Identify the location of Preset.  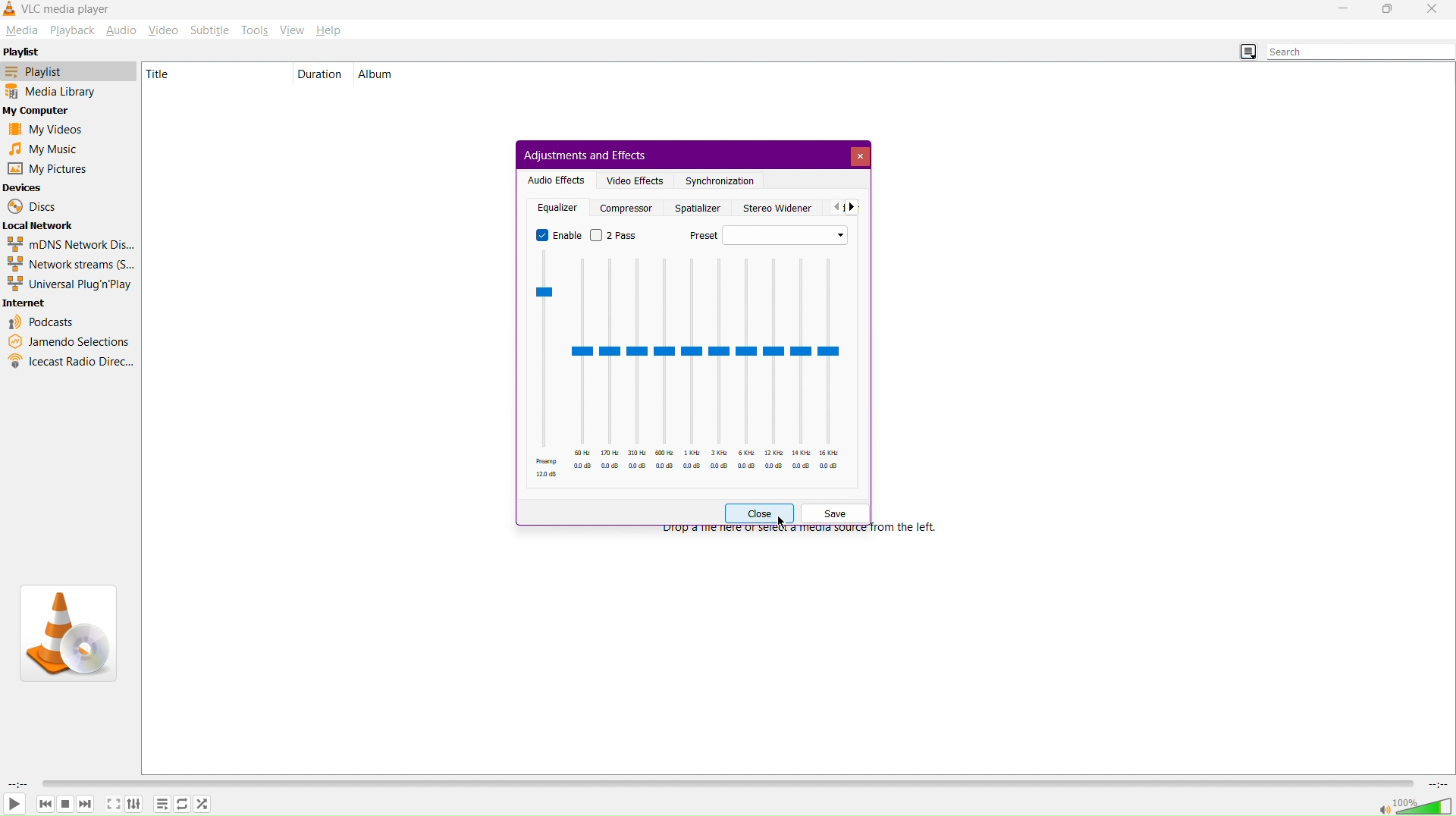
(783, 235).